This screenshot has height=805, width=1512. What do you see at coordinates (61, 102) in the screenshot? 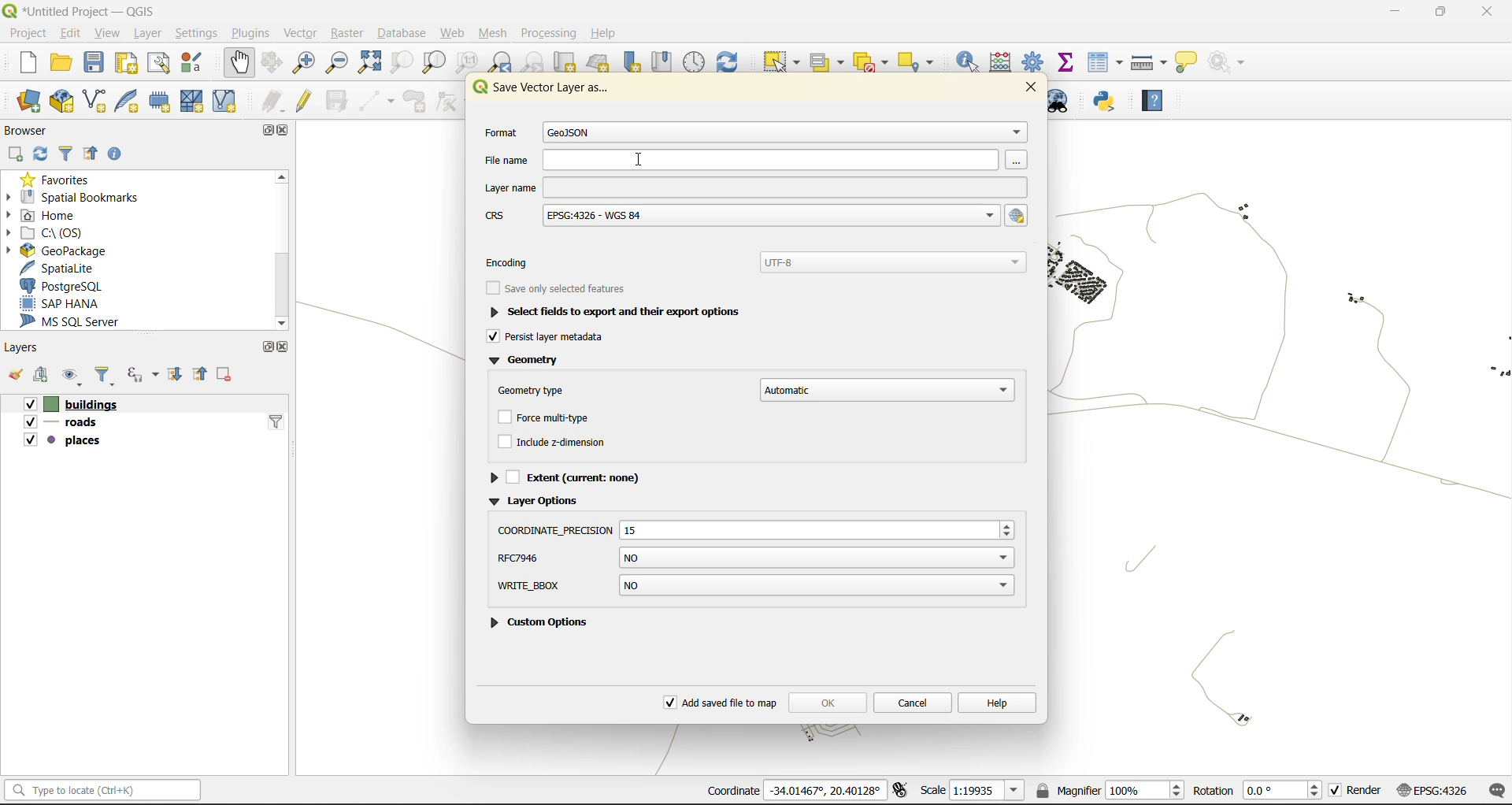
I see `new geopackage` at bounding box center [61, 102].